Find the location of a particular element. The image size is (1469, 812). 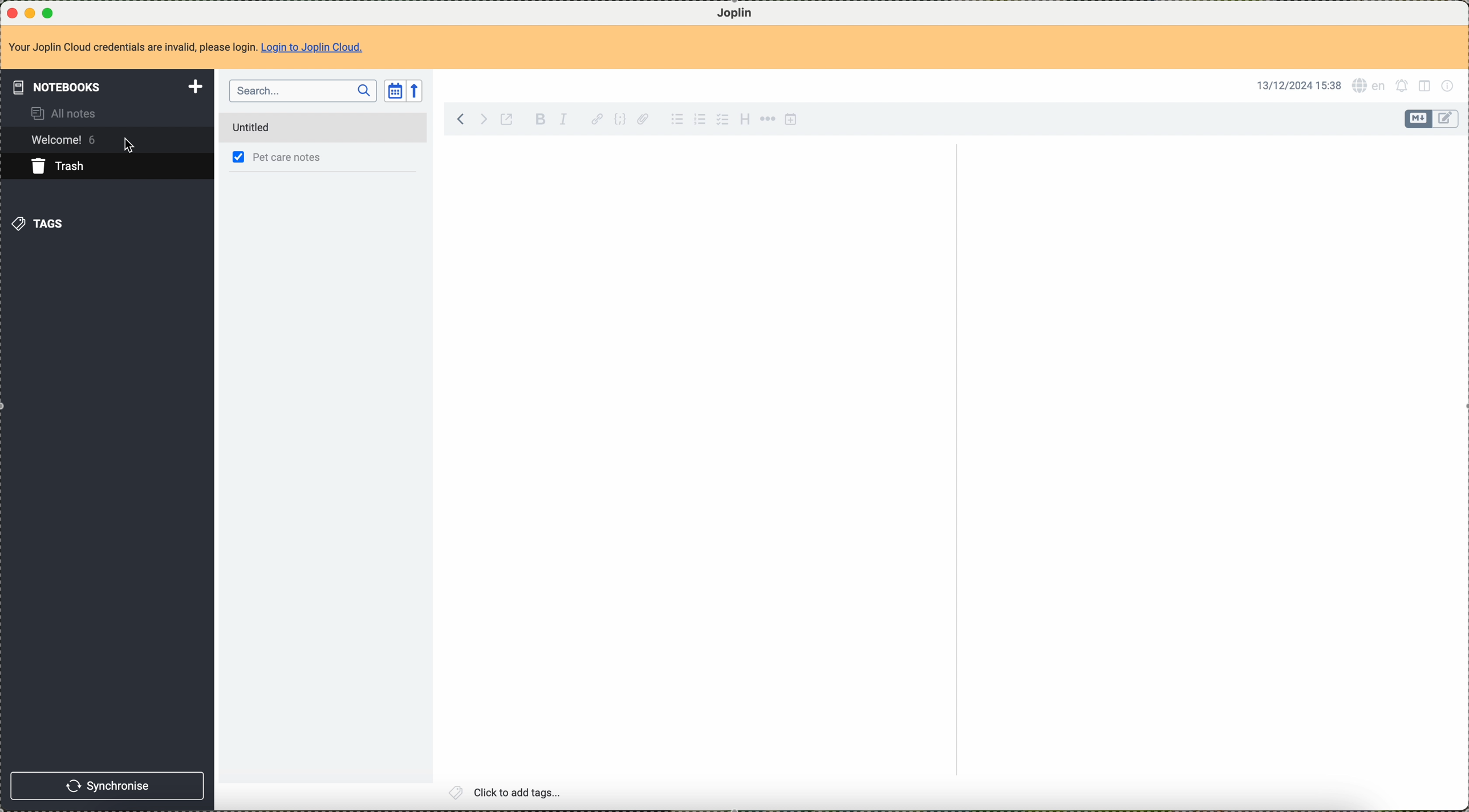

toggle editor is located at coordinates (1418, 119).